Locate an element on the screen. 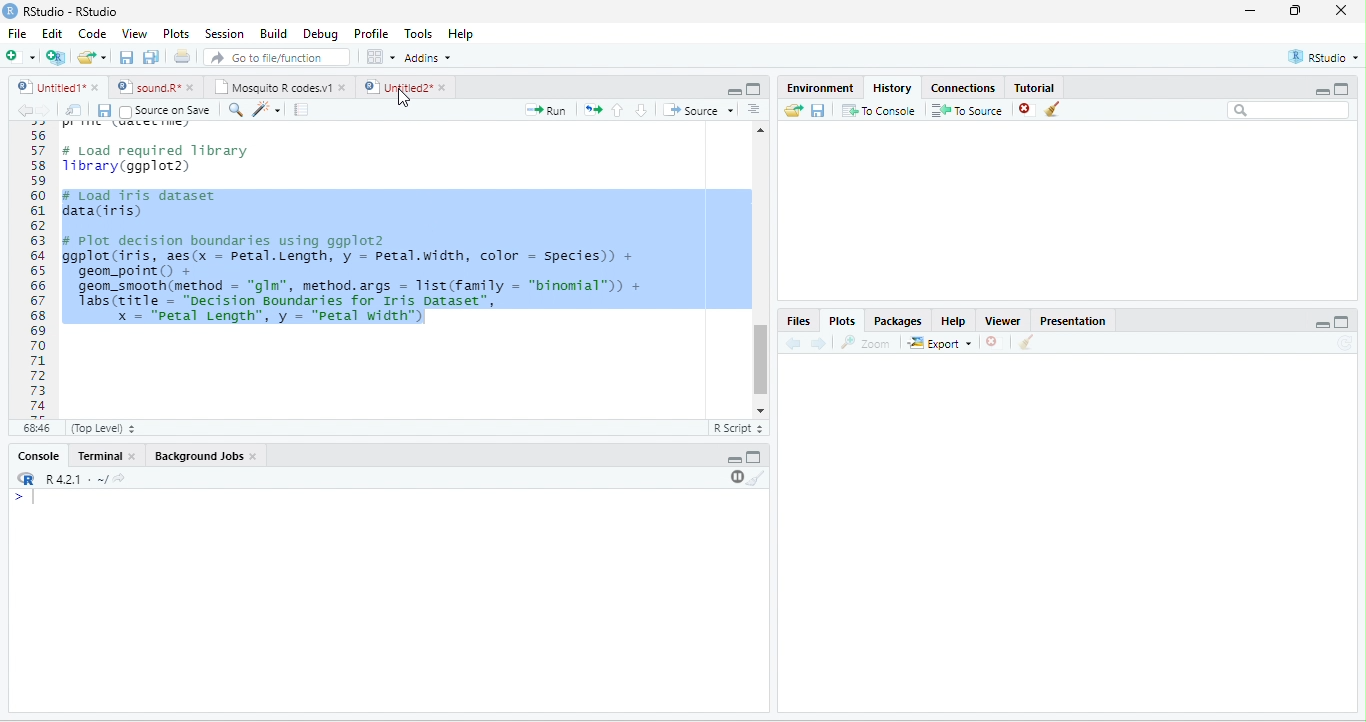 Image resolution: width=1366 pixels, height=722 pixels. RStudio-RStudio is located at coordinates (72, 11).